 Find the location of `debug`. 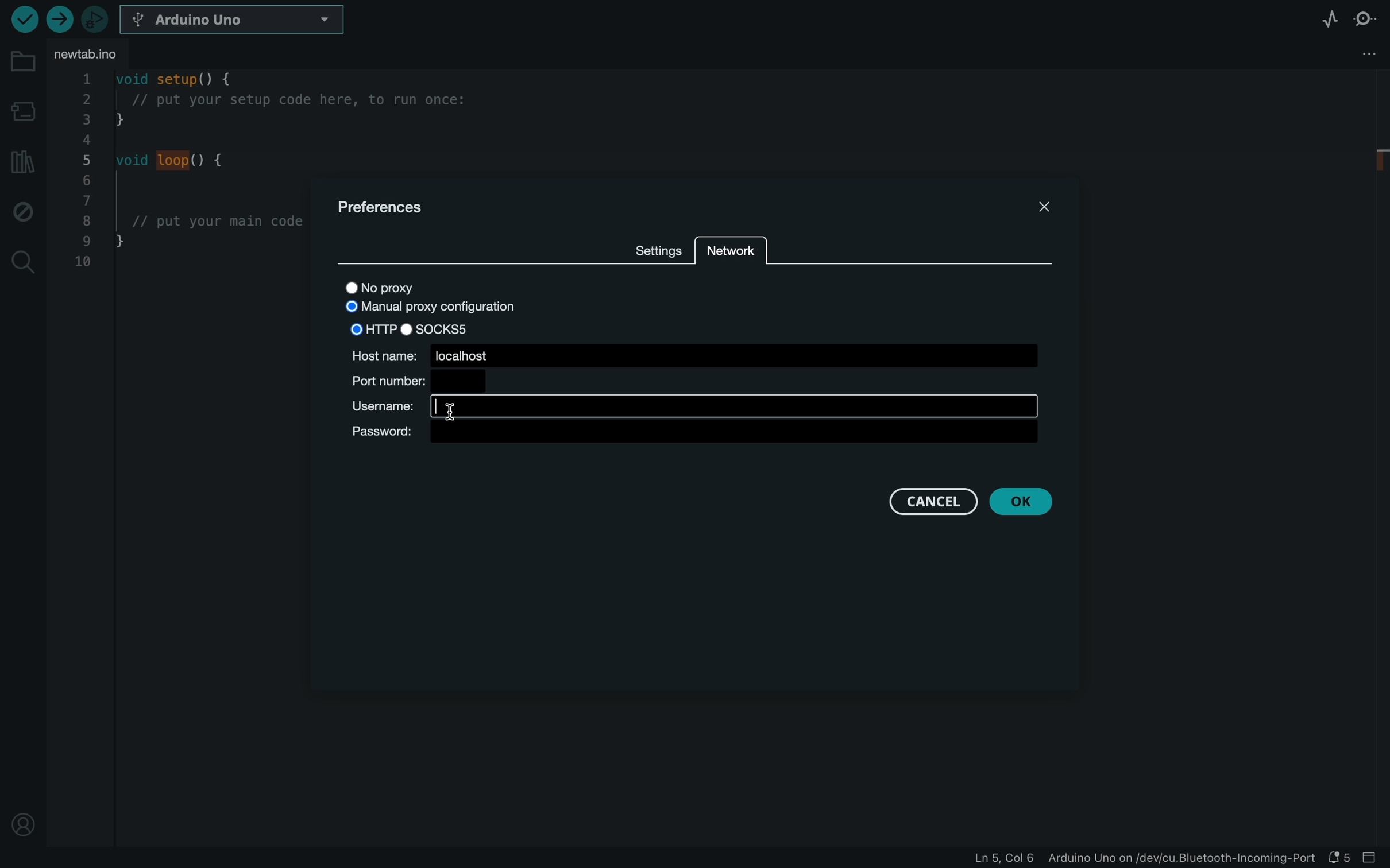

debug is located at coordinates (20, 210).